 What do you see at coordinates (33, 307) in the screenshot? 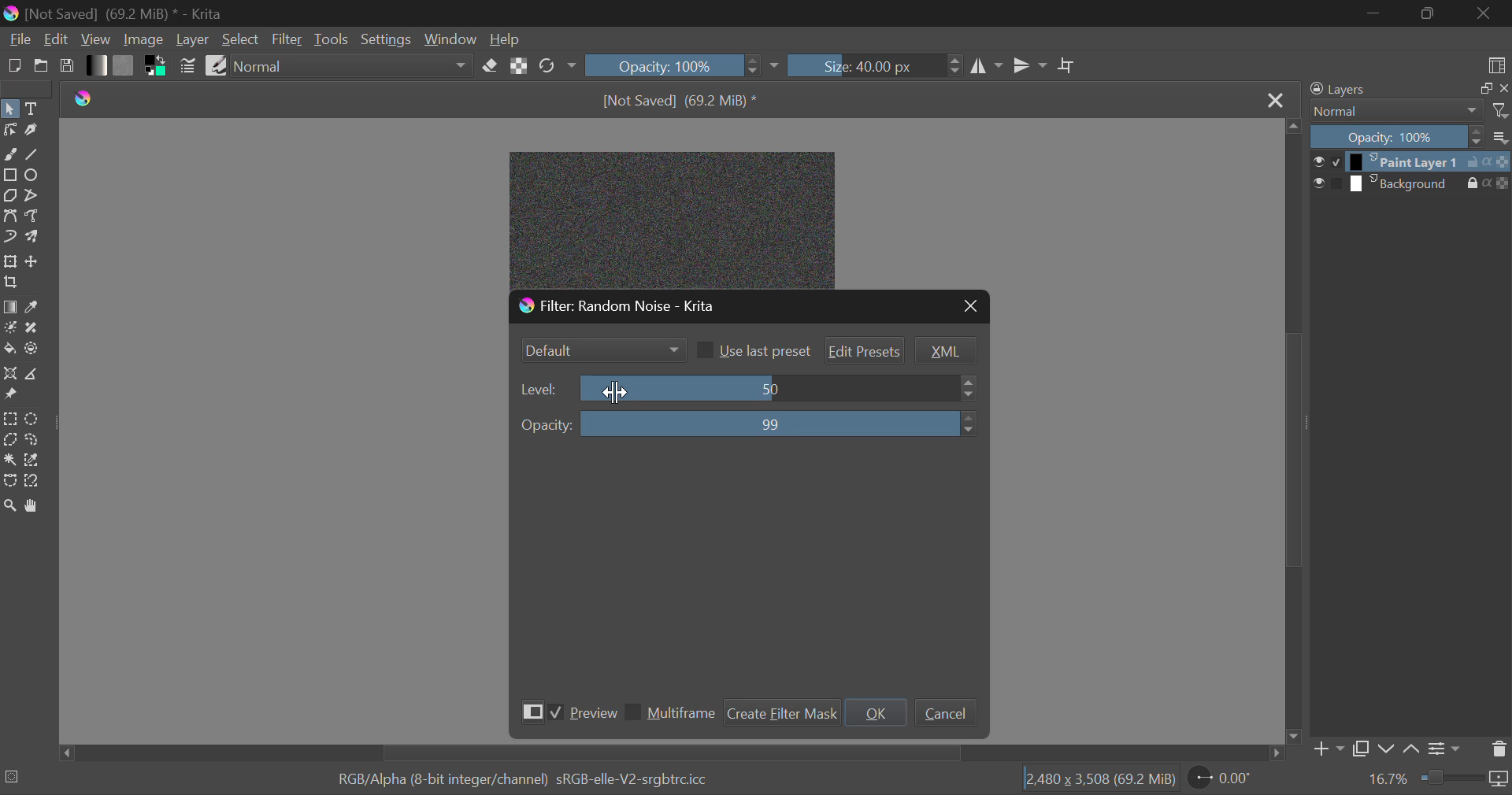
I see `Eyedropper` at bounding box center [33, 307].